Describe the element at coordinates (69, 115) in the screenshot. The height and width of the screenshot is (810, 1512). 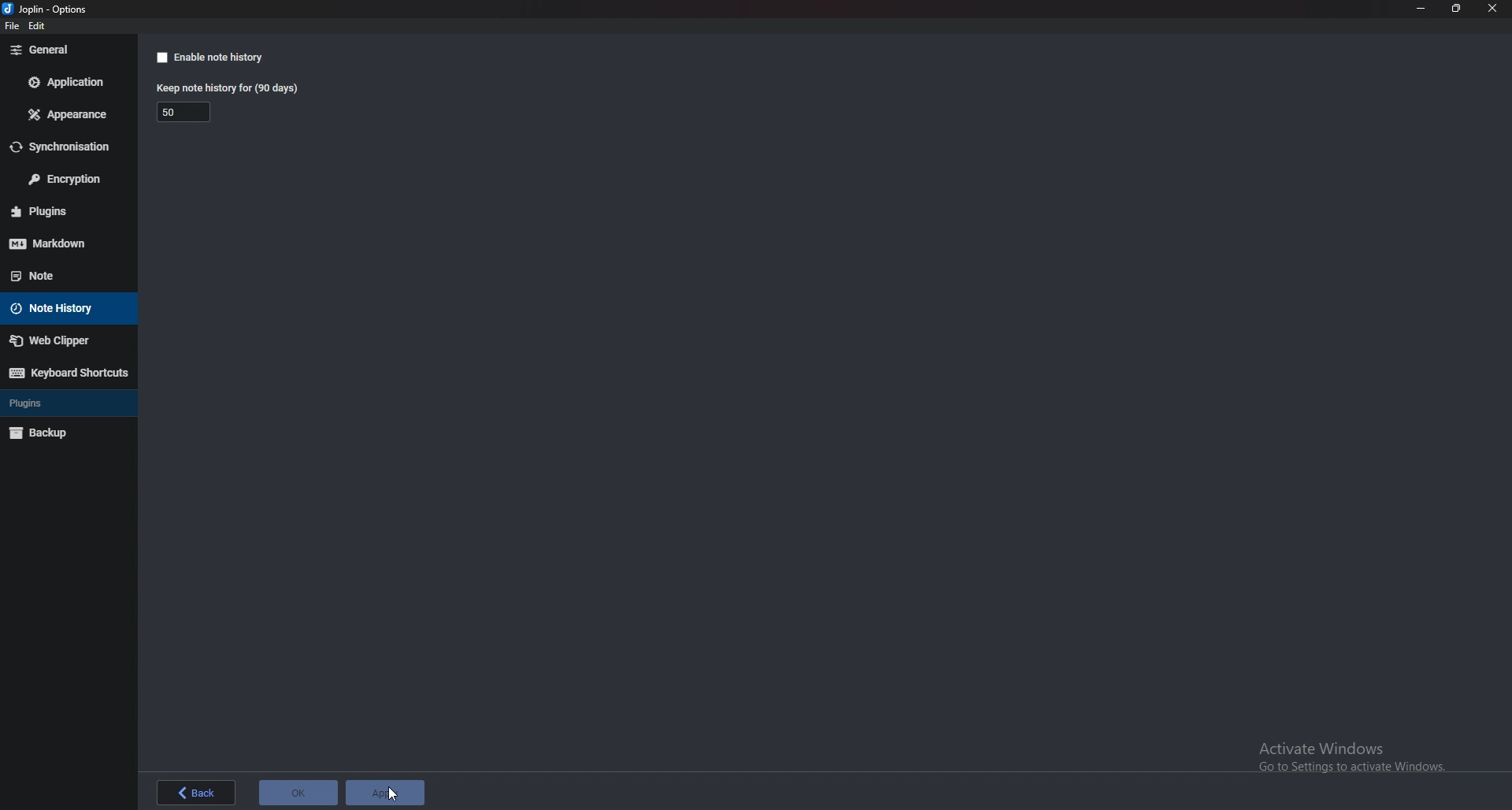
I see `Appearance` at that location.